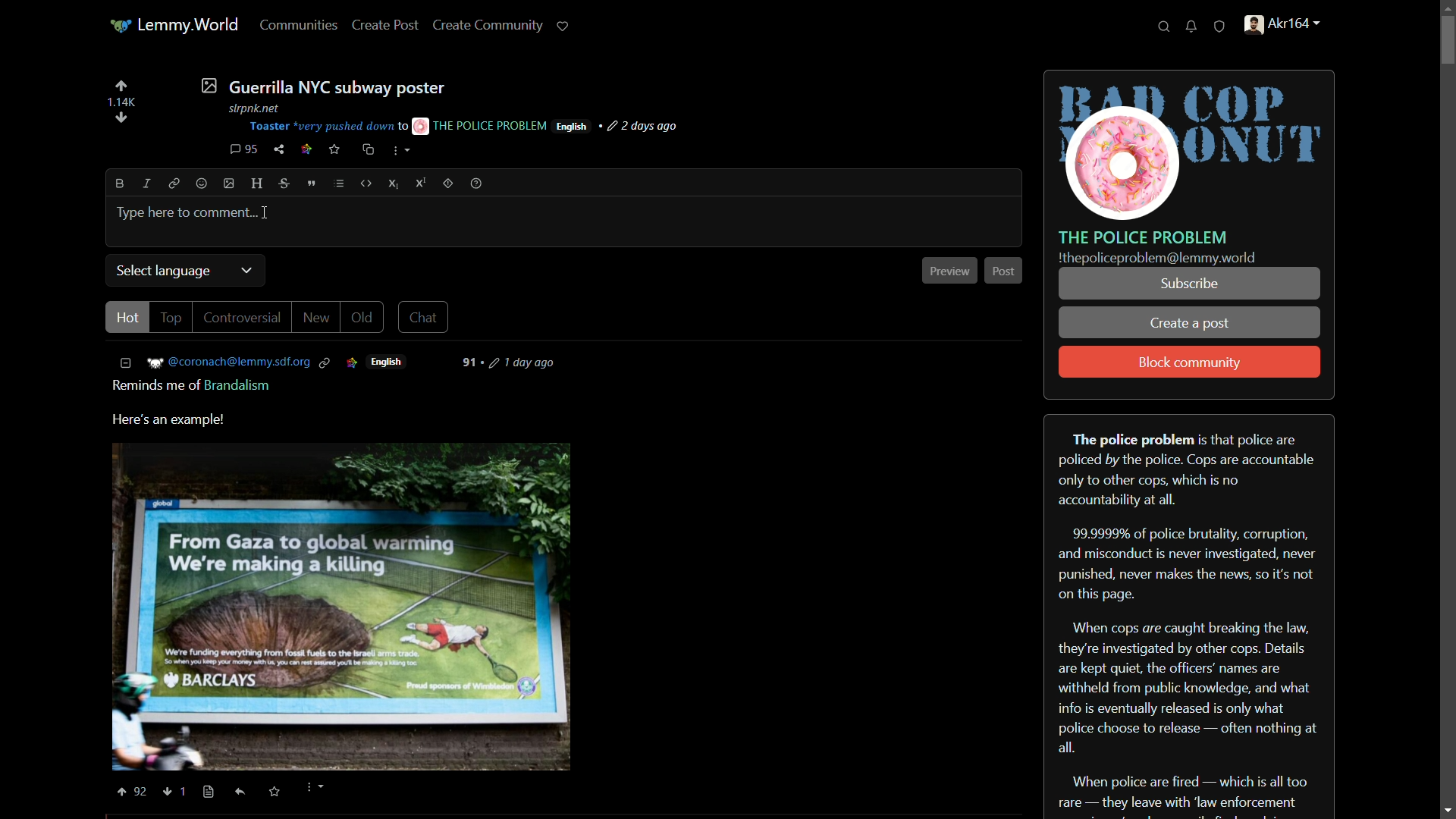 Image resolution: width=1456 pixels, height=819 pixels. I want to click on , so click(262, 108).